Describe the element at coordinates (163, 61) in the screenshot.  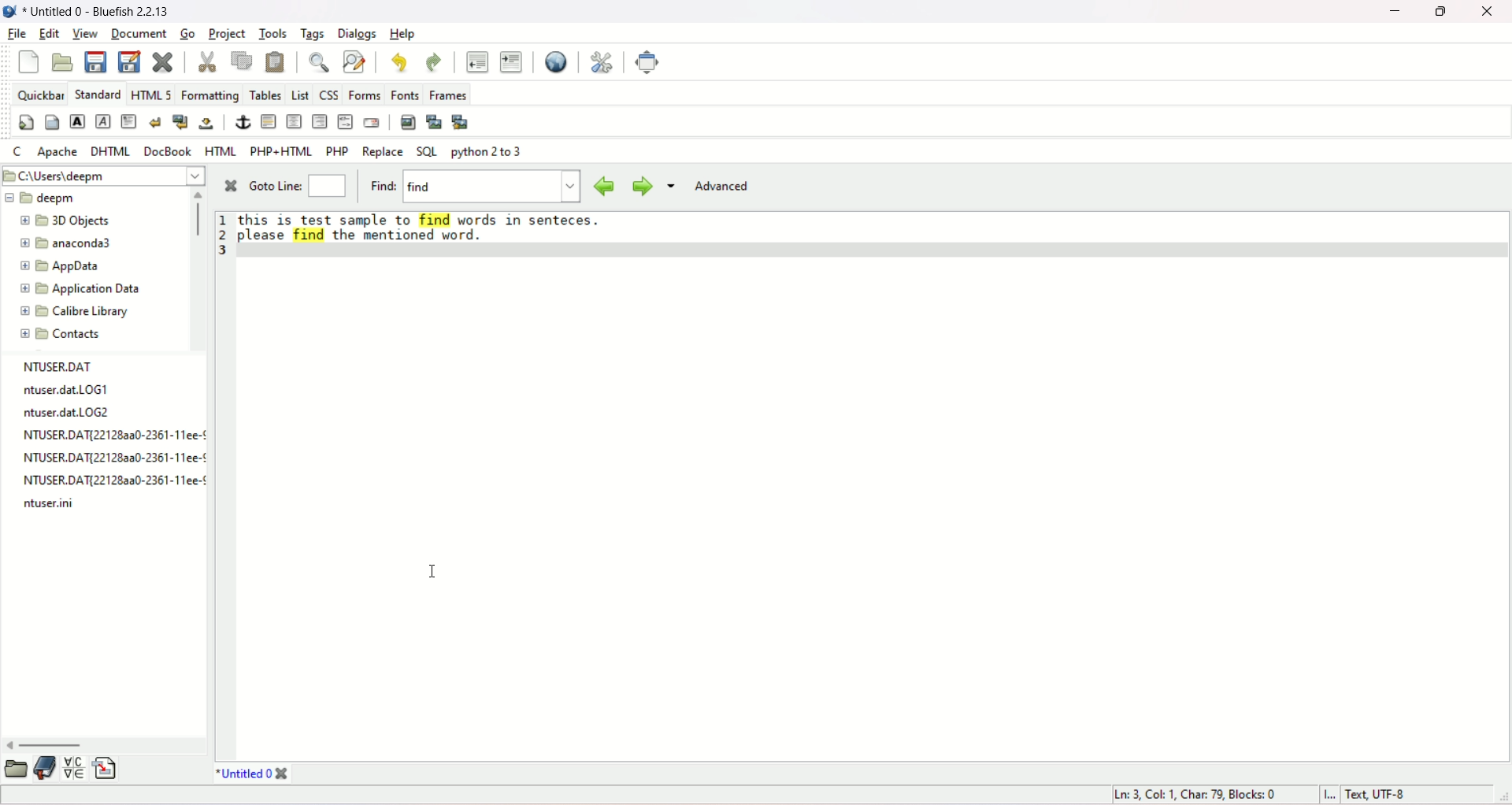
I see `clear current file` at that location.